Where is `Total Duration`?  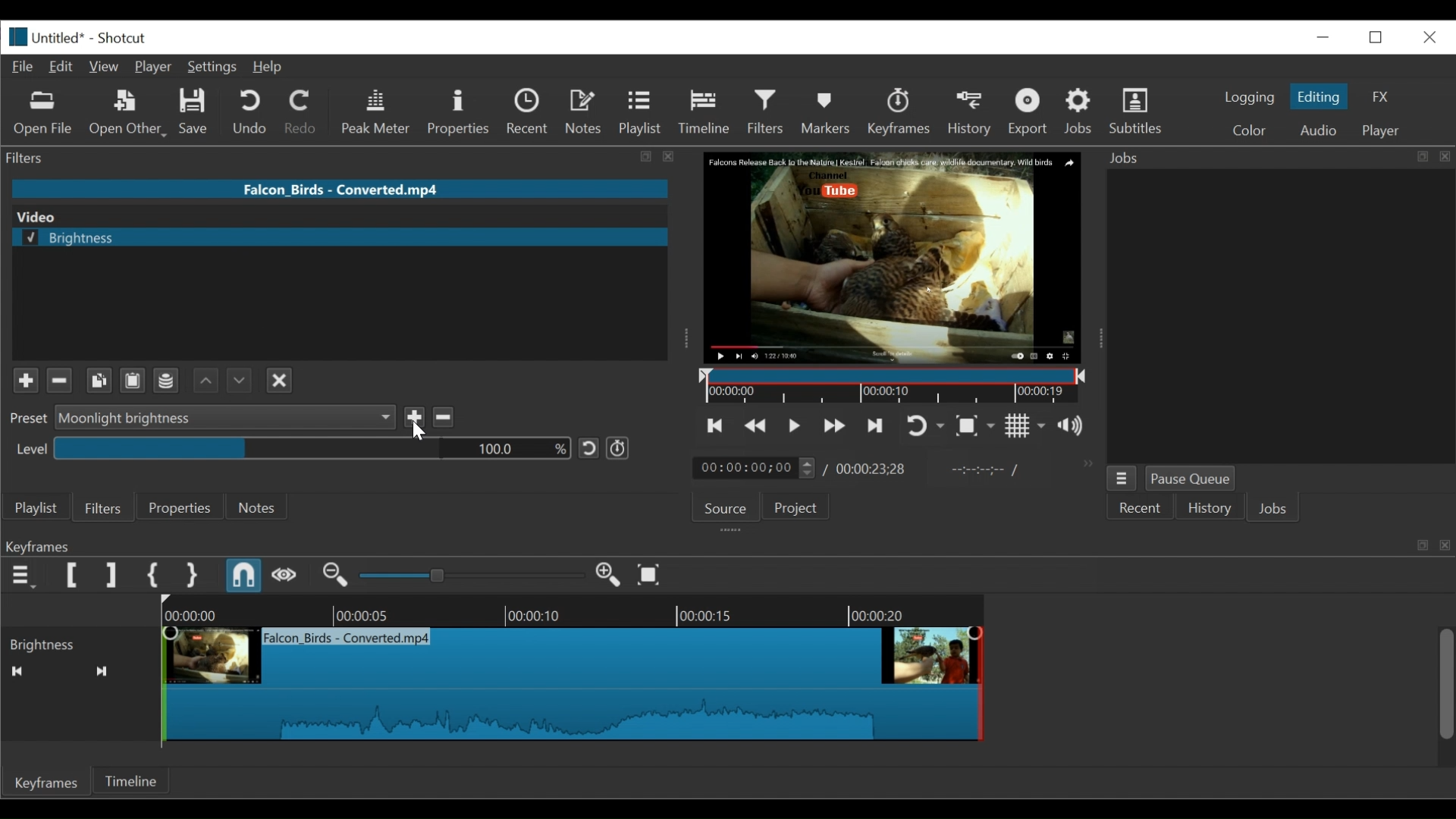
Total Duration is located at coordinates (871, 469).